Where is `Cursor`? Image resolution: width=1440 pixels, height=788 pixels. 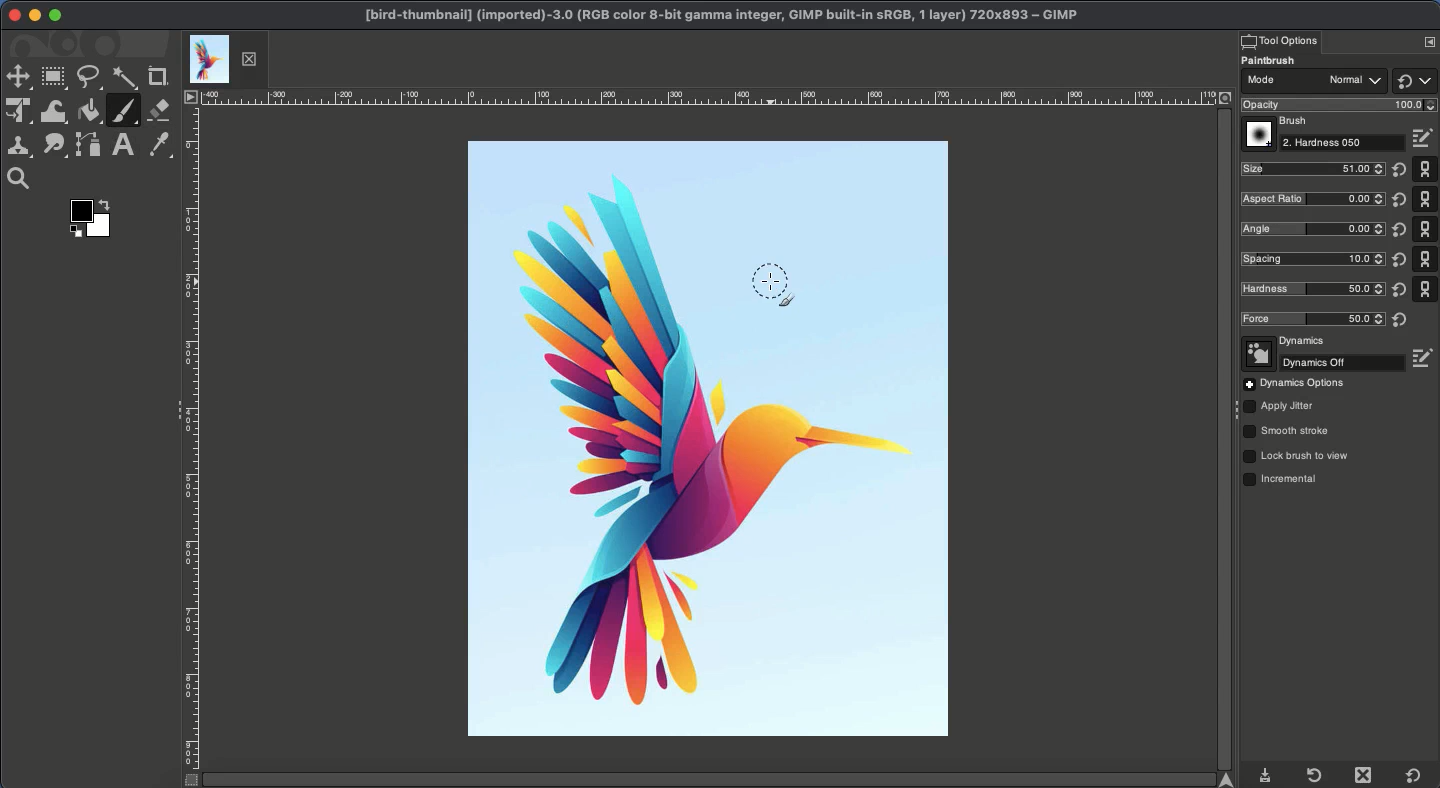
Cursor is located at coordinates (780, 287).